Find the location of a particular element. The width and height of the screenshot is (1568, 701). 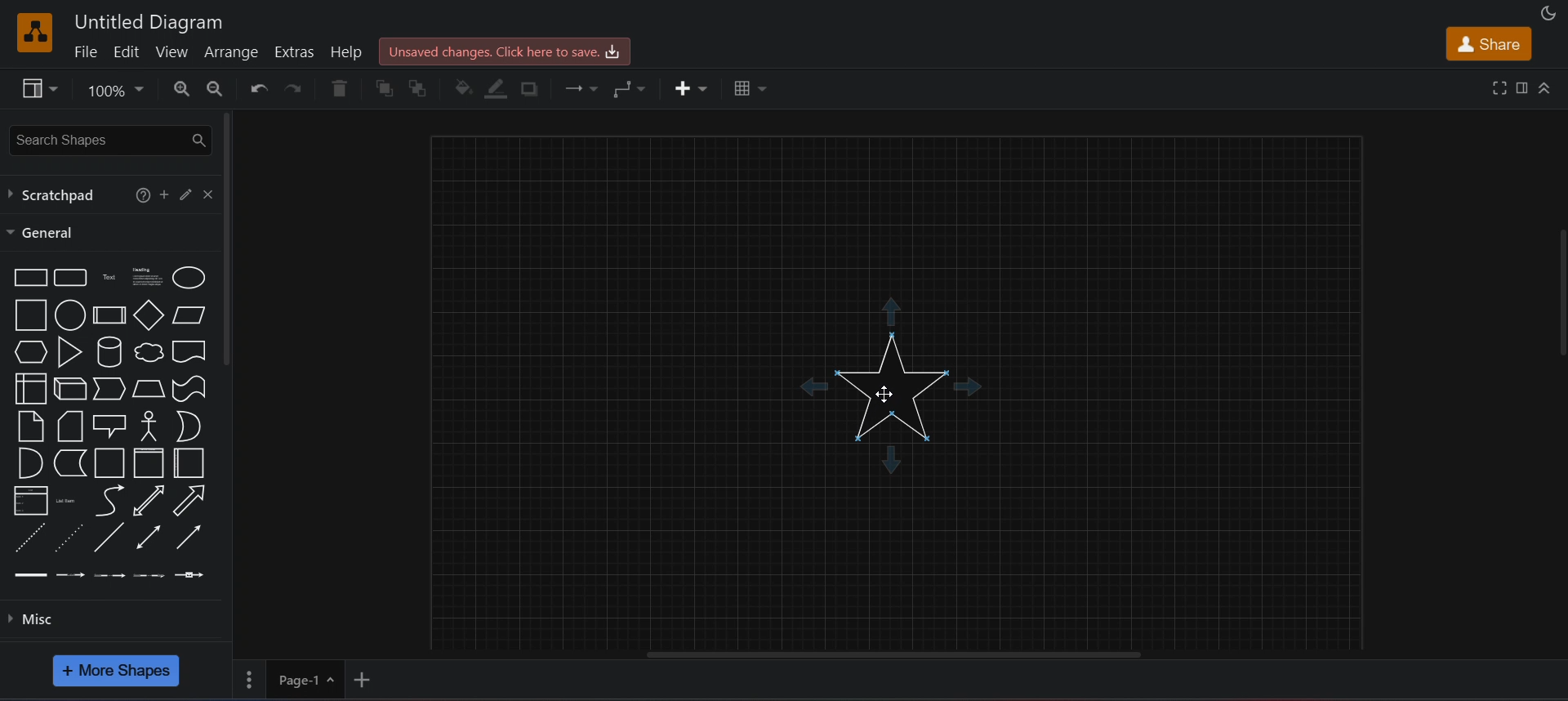

rectangle is located at coordinates (28, 276).